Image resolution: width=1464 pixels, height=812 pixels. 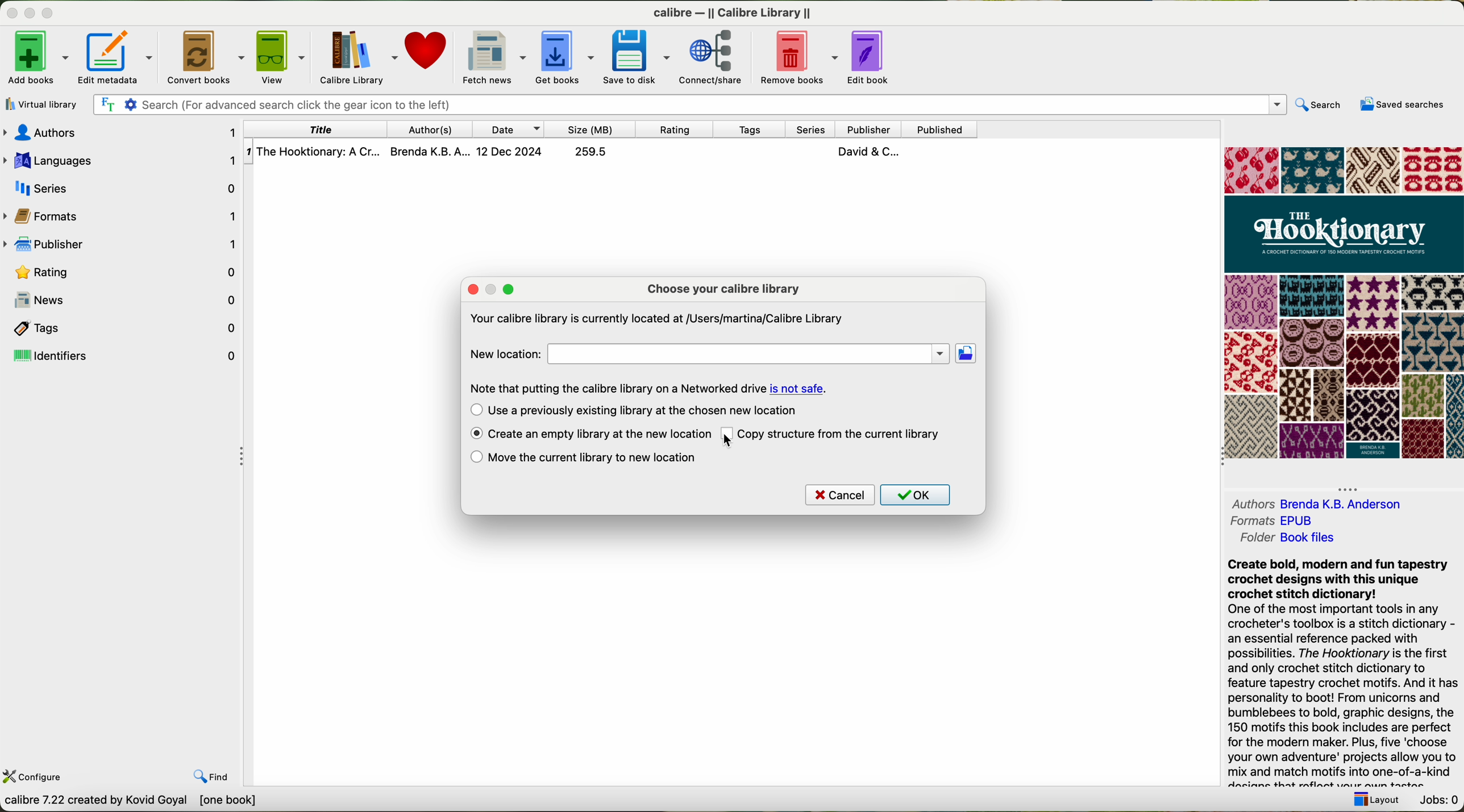 What do you see at coordinates (751, 128) in the screenshot?
I see `tags` at bounding box center [751, 128].